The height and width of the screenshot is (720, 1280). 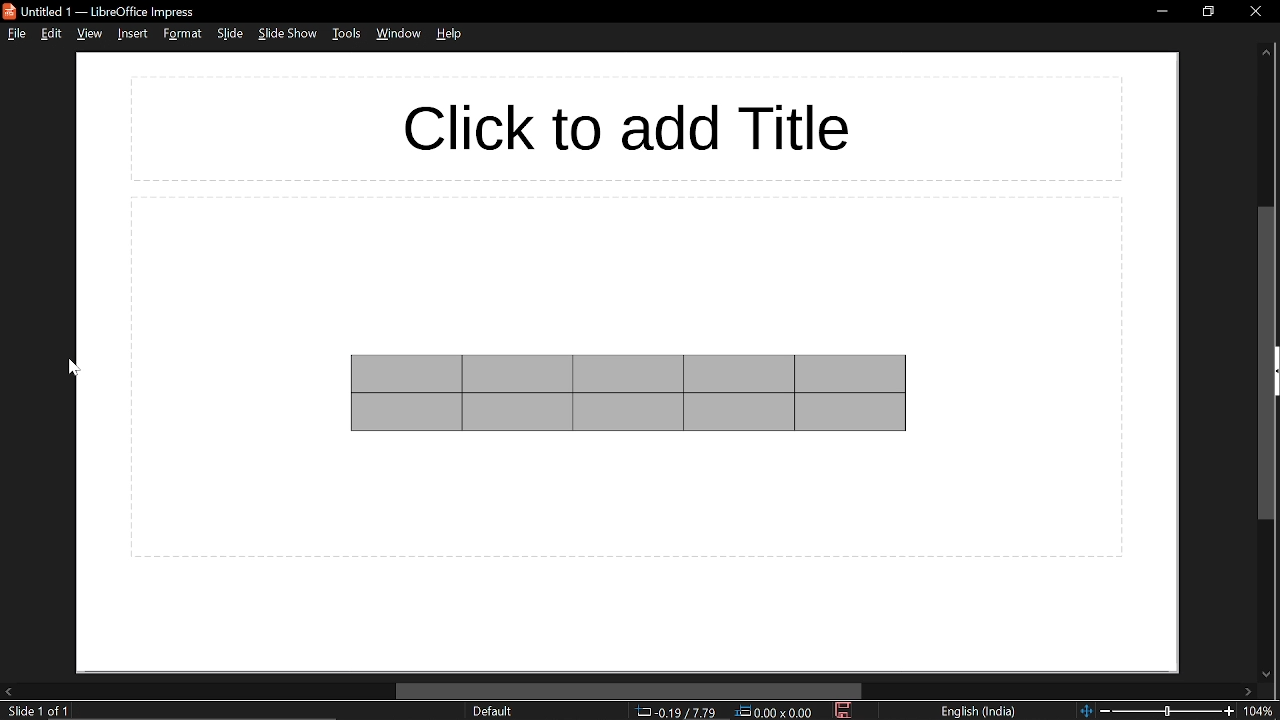 What do you see at coordinates (1107, 710) in the screenshot?
I see `zoom out` at bounding box center [1107, 710].